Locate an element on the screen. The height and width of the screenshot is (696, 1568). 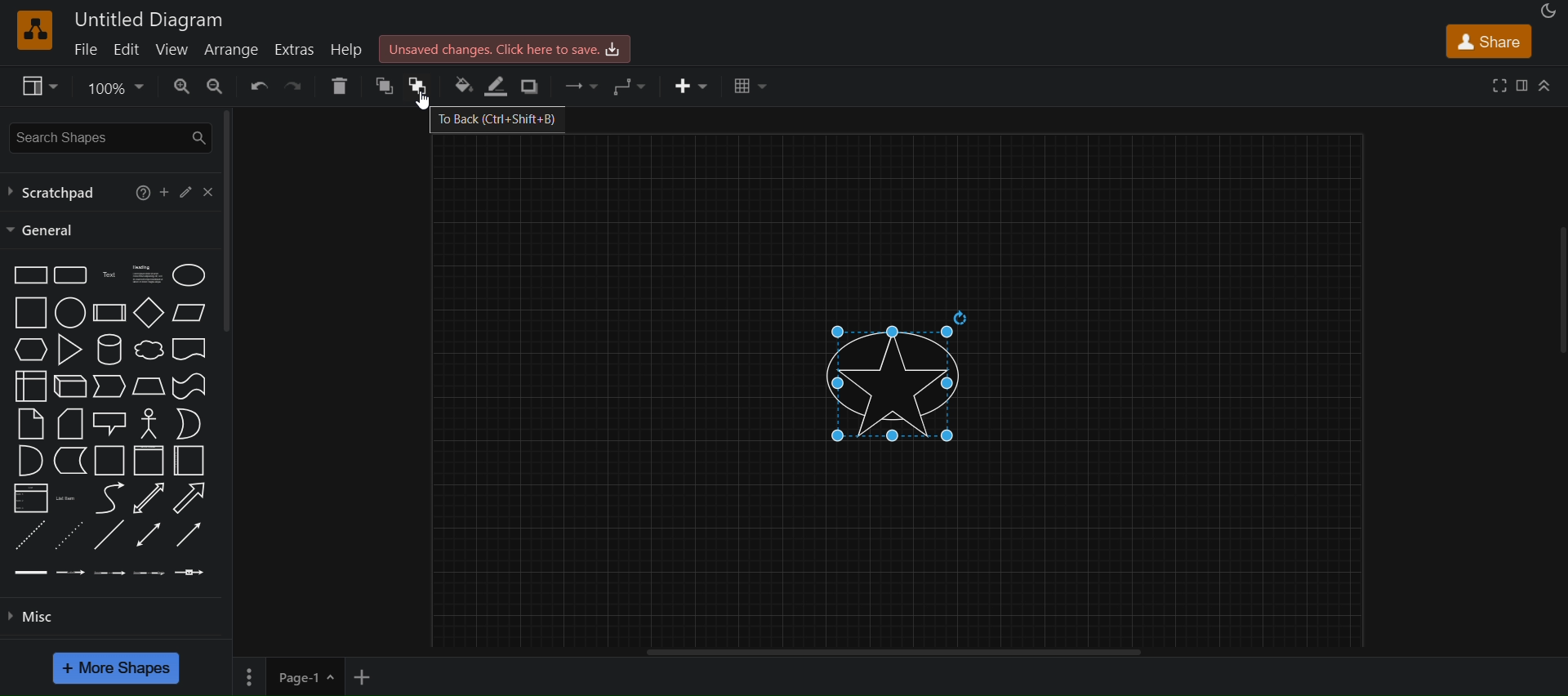
data storage is located at coordinates (69, 459).